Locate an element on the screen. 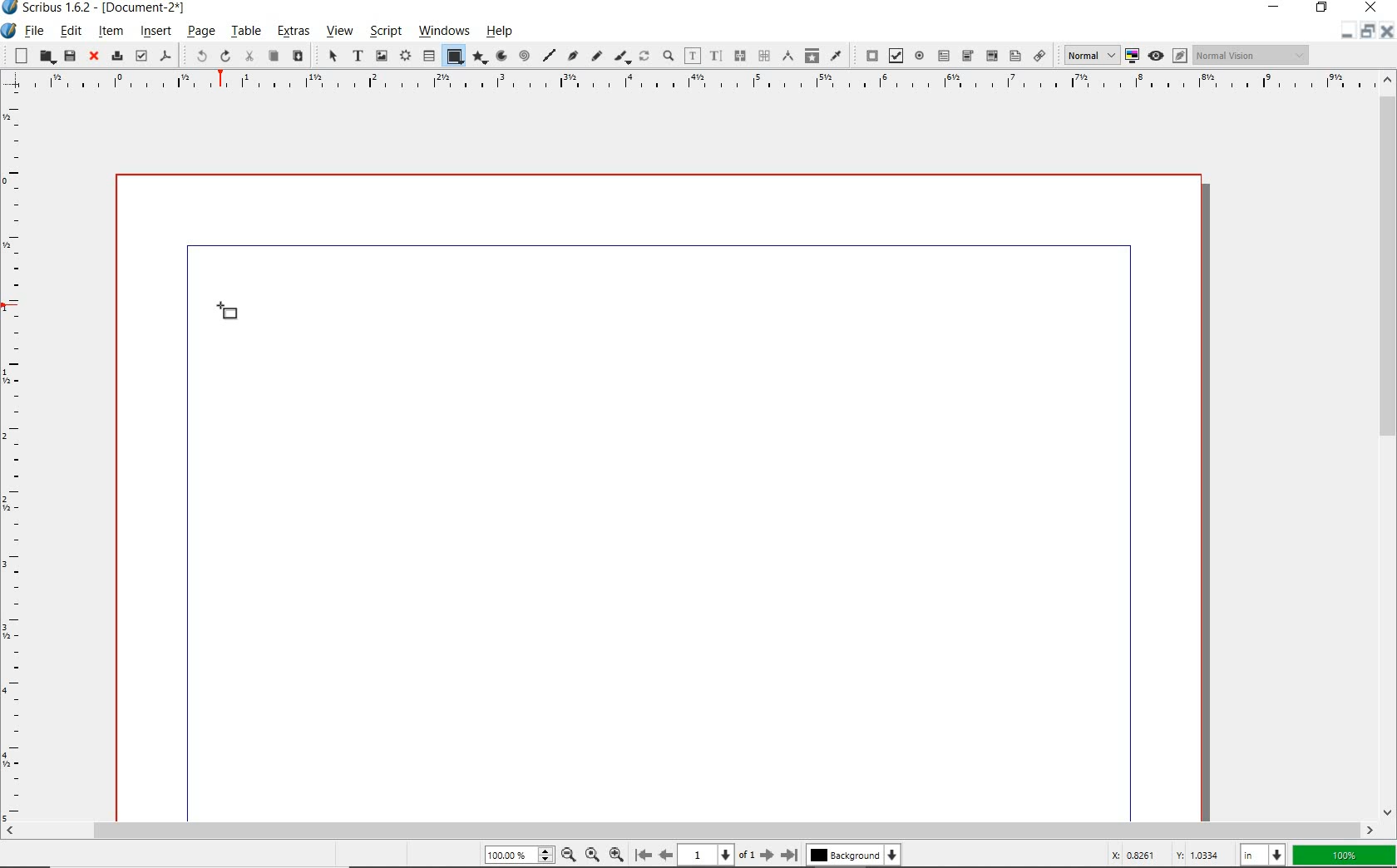 This screenshot has height=868, width=1397. line is located at coordinates (550, 55).